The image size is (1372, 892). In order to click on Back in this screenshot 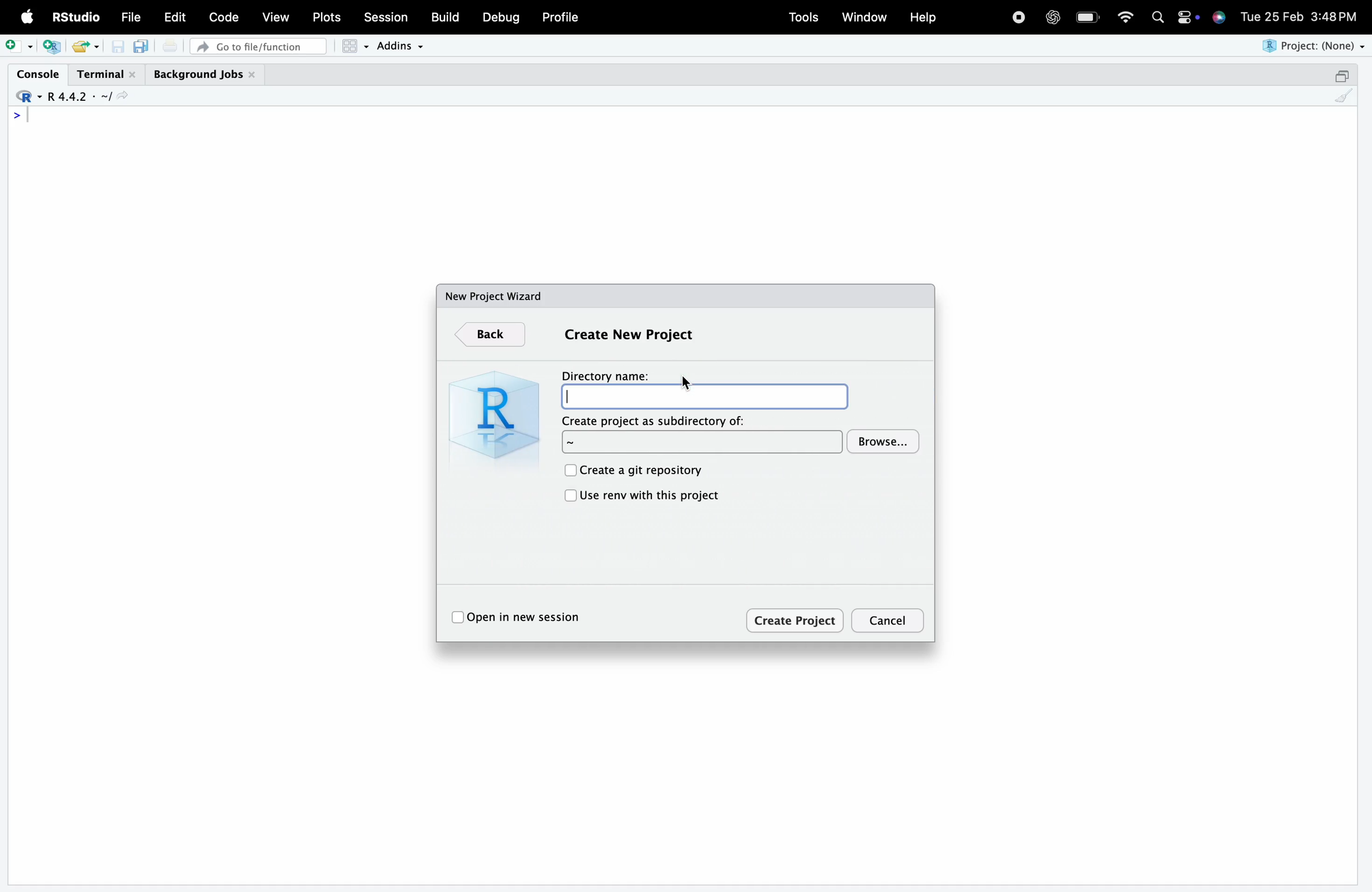, I will do `click(490, 335)`.